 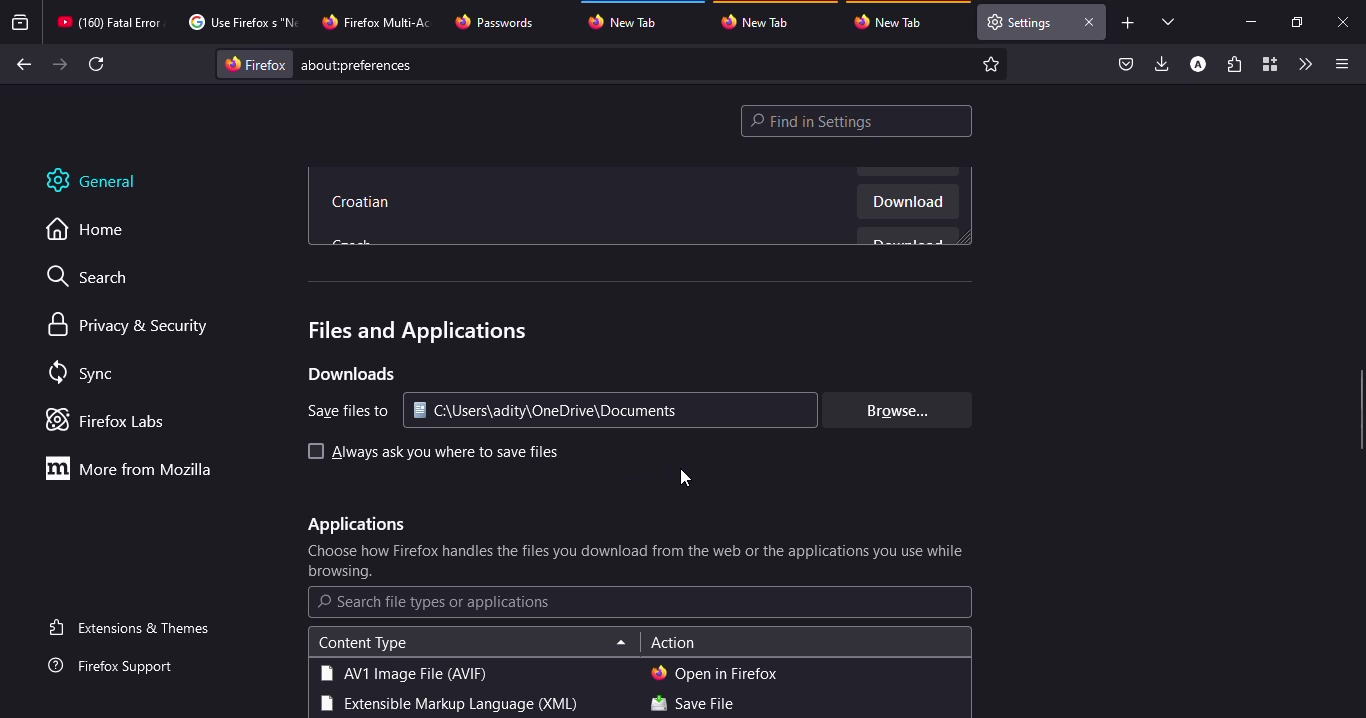 I want to click on always ask, so click(x=445, y=453).